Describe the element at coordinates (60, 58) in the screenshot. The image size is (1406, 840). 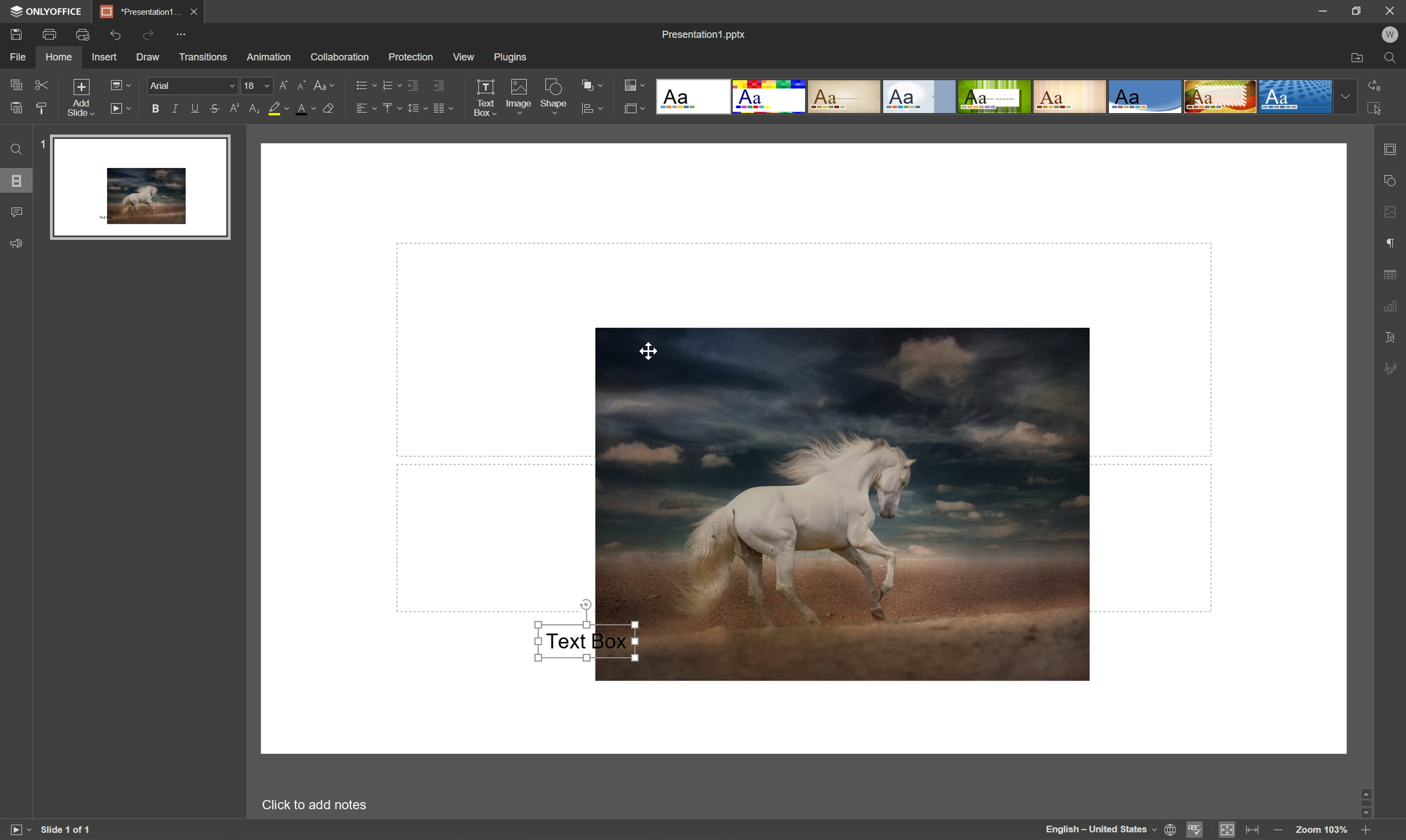
I see `Home` at that location.